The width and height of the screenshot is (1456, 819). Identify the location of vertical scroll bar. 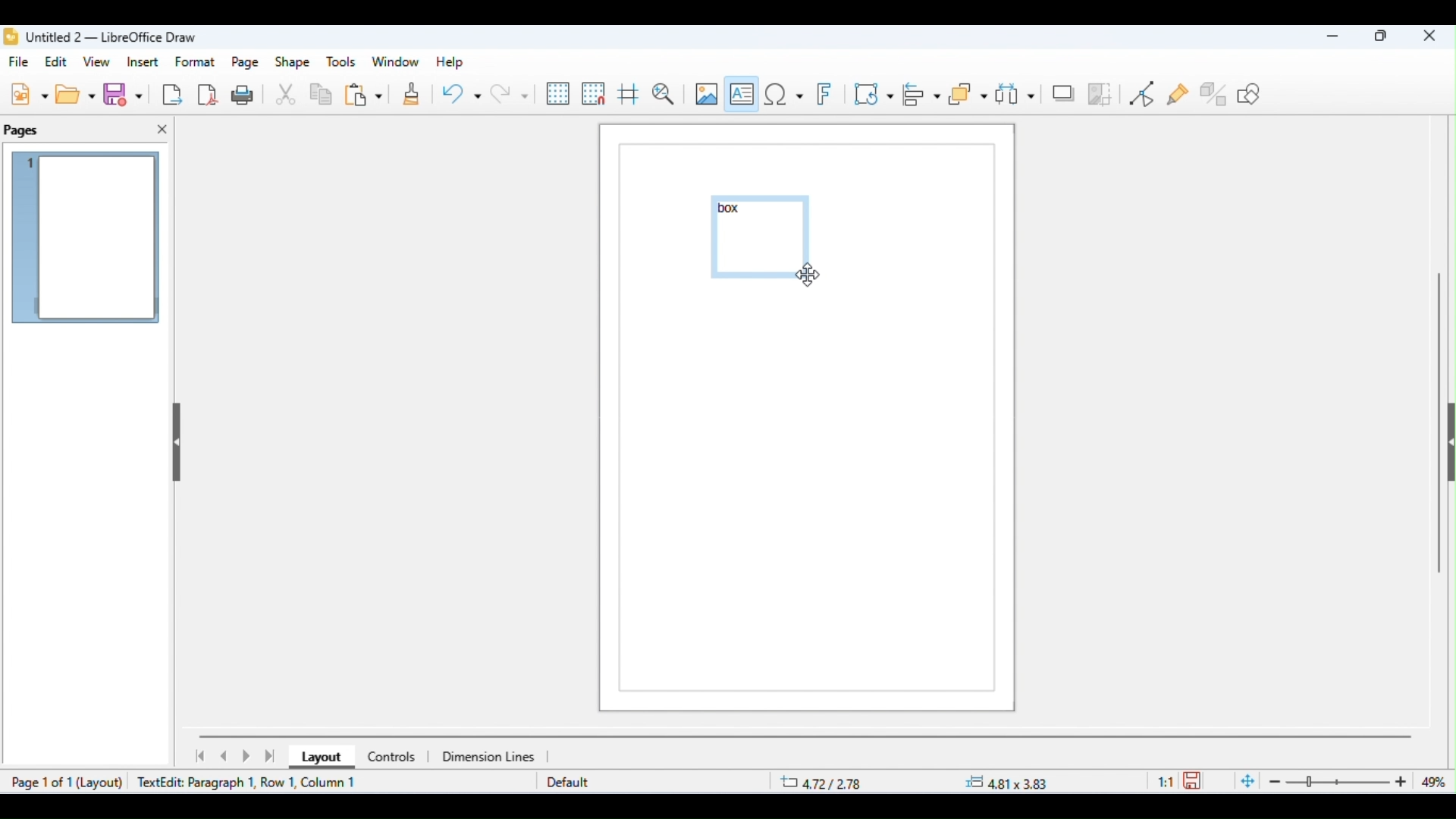
(1439, 417).